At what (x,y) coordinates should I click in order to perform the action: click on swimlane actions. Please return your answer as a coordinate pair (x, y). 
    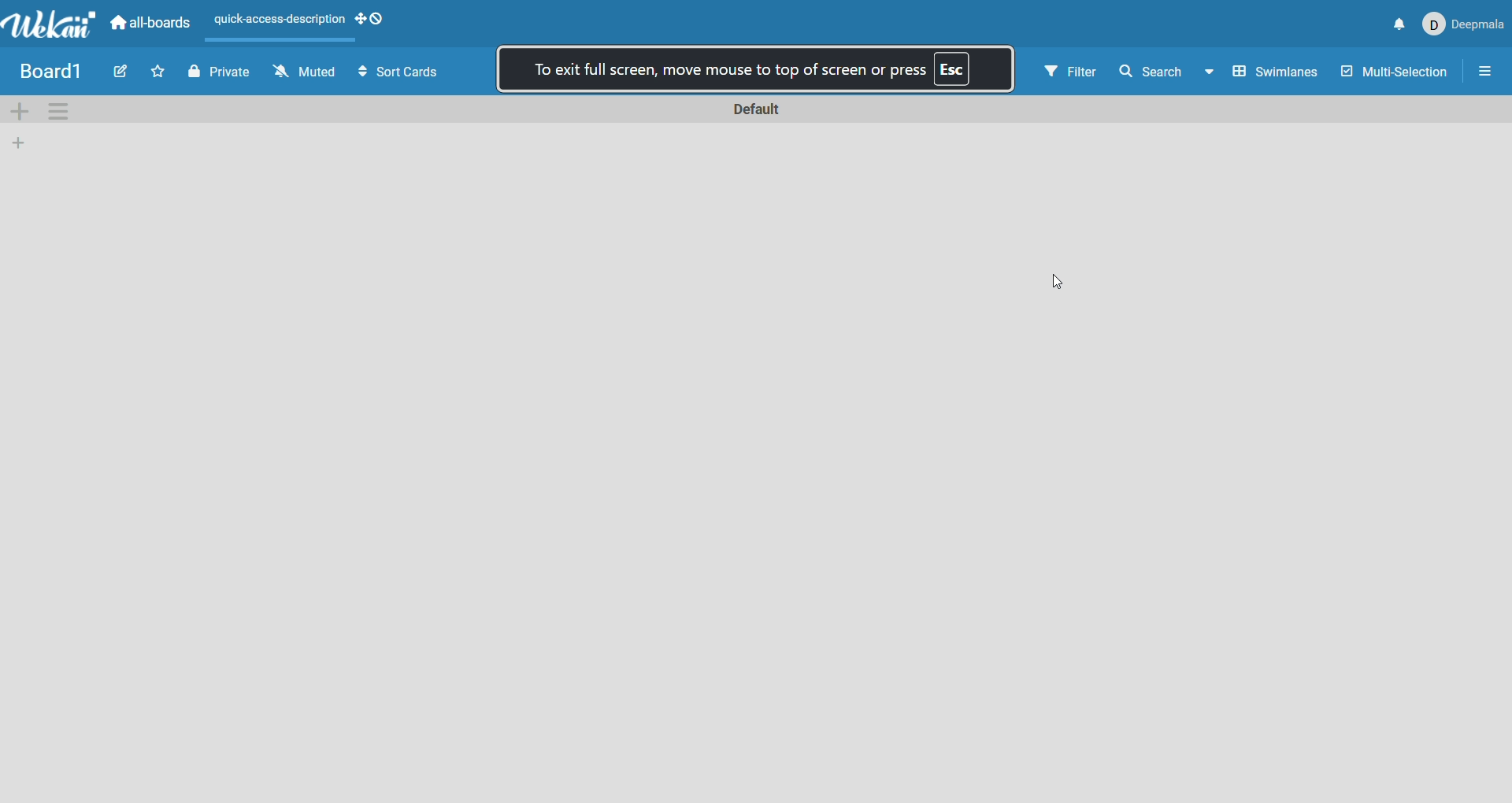
    Looking at the image, I should click on (65, 110).